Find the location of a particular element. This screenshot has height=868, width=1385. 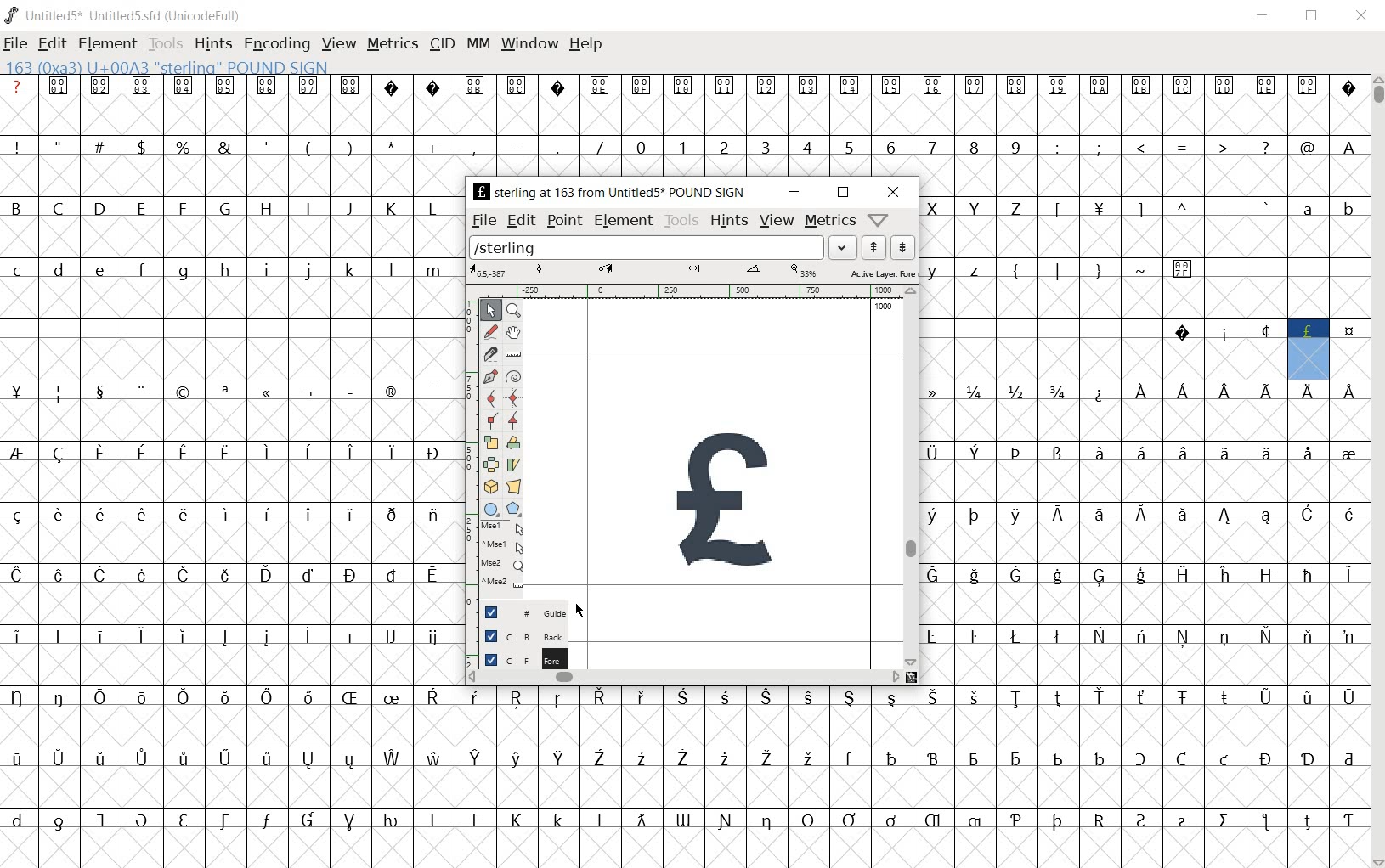

Symbol is located at coordinates (1348, 389).